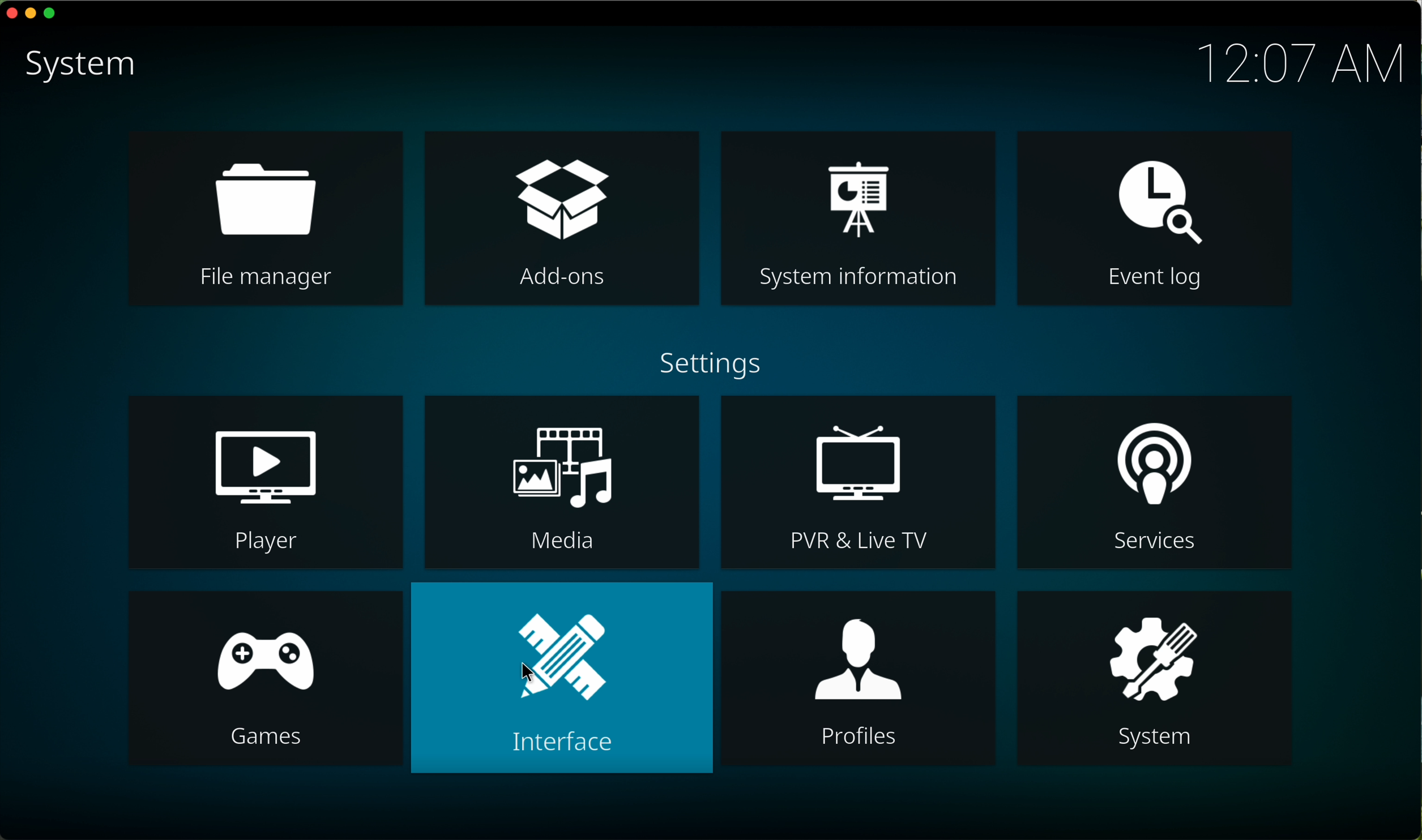 The width and height of the screenshot is (1422, 840). I want to click on pvr and live tv, so click(859, 483).